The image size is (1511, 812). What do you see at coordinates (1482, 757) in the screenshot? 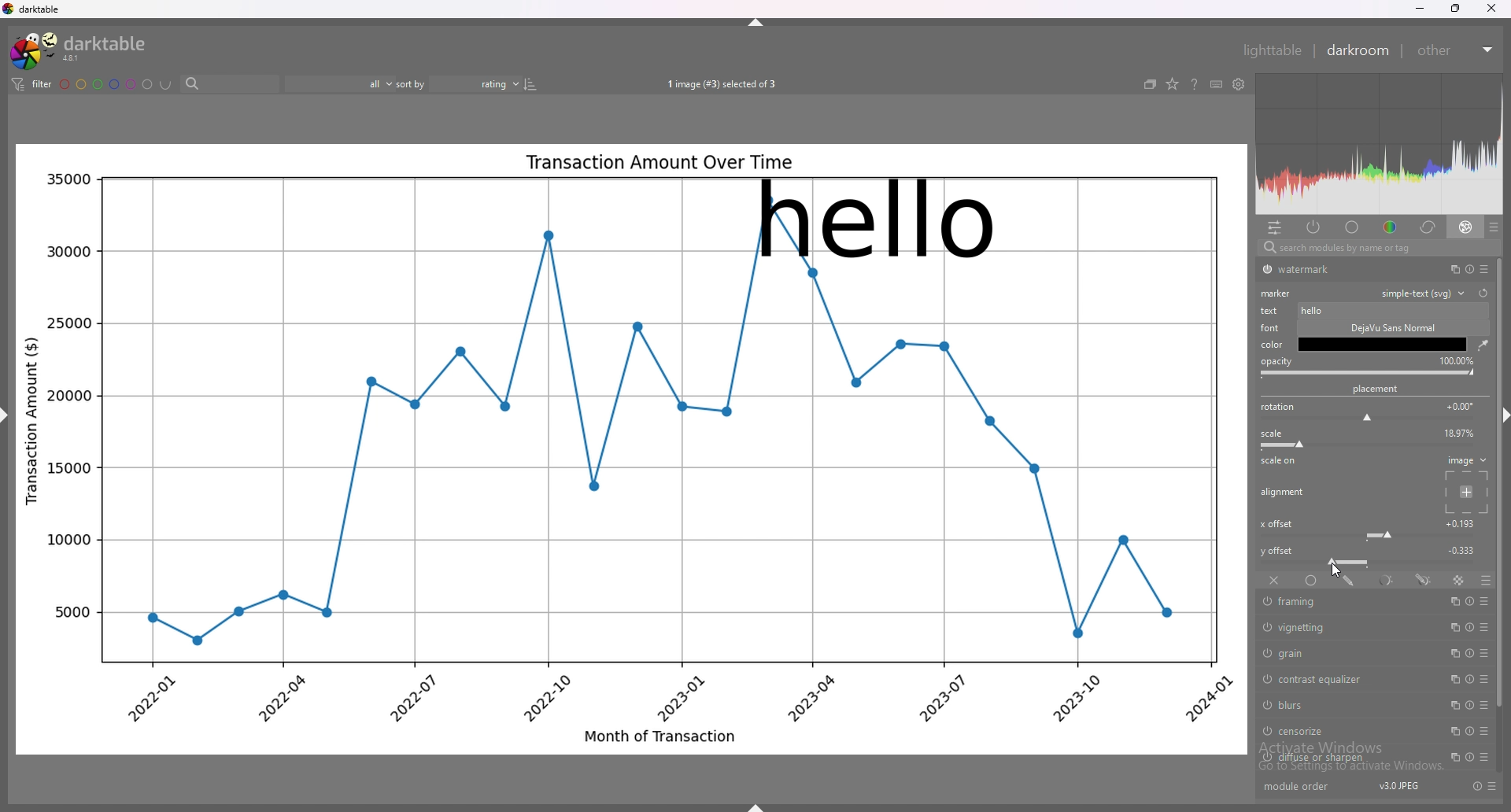
I see `presets` at bounding box center [1482, 757].